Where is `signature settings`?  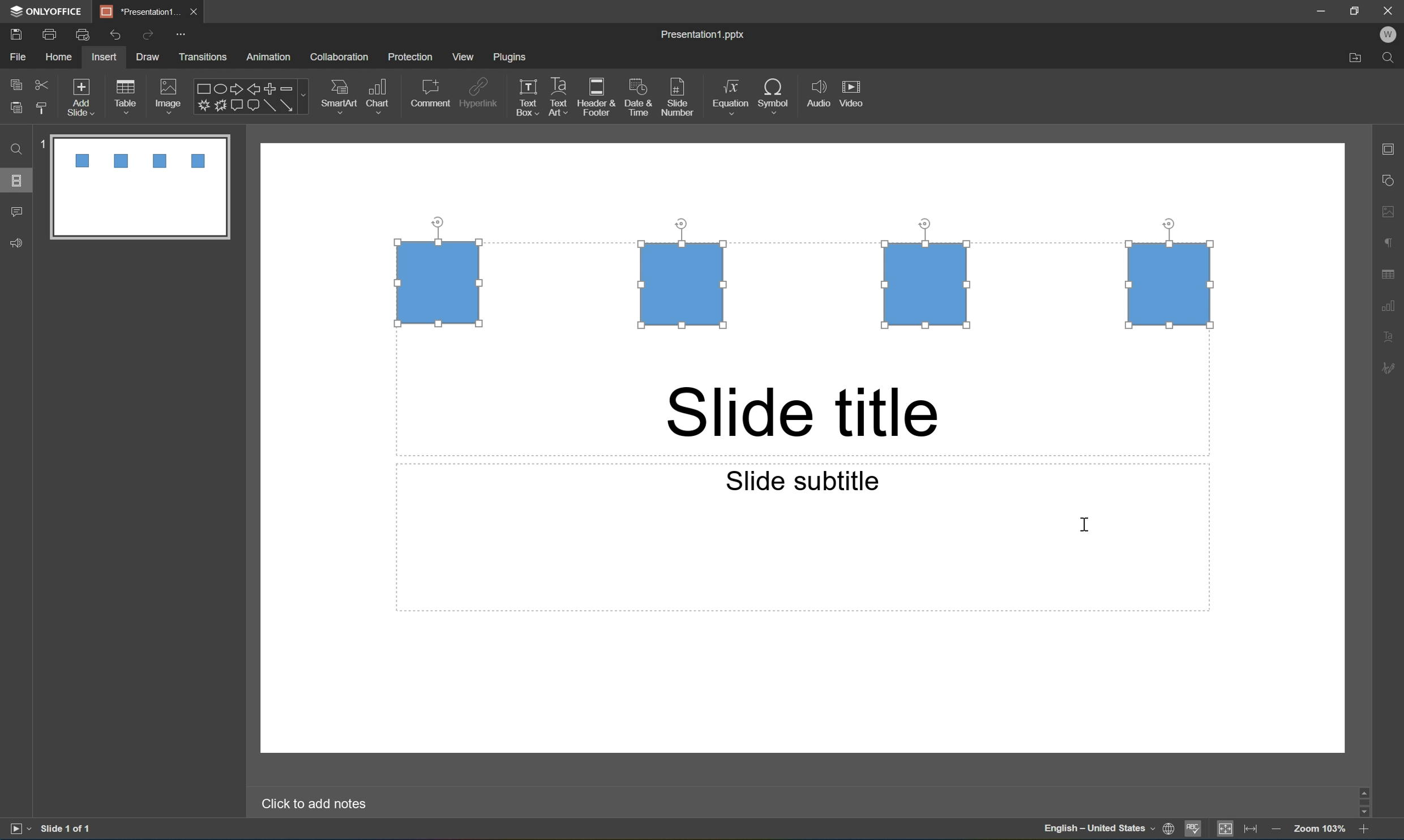
signature settings is located at coordinates (1392, 368).